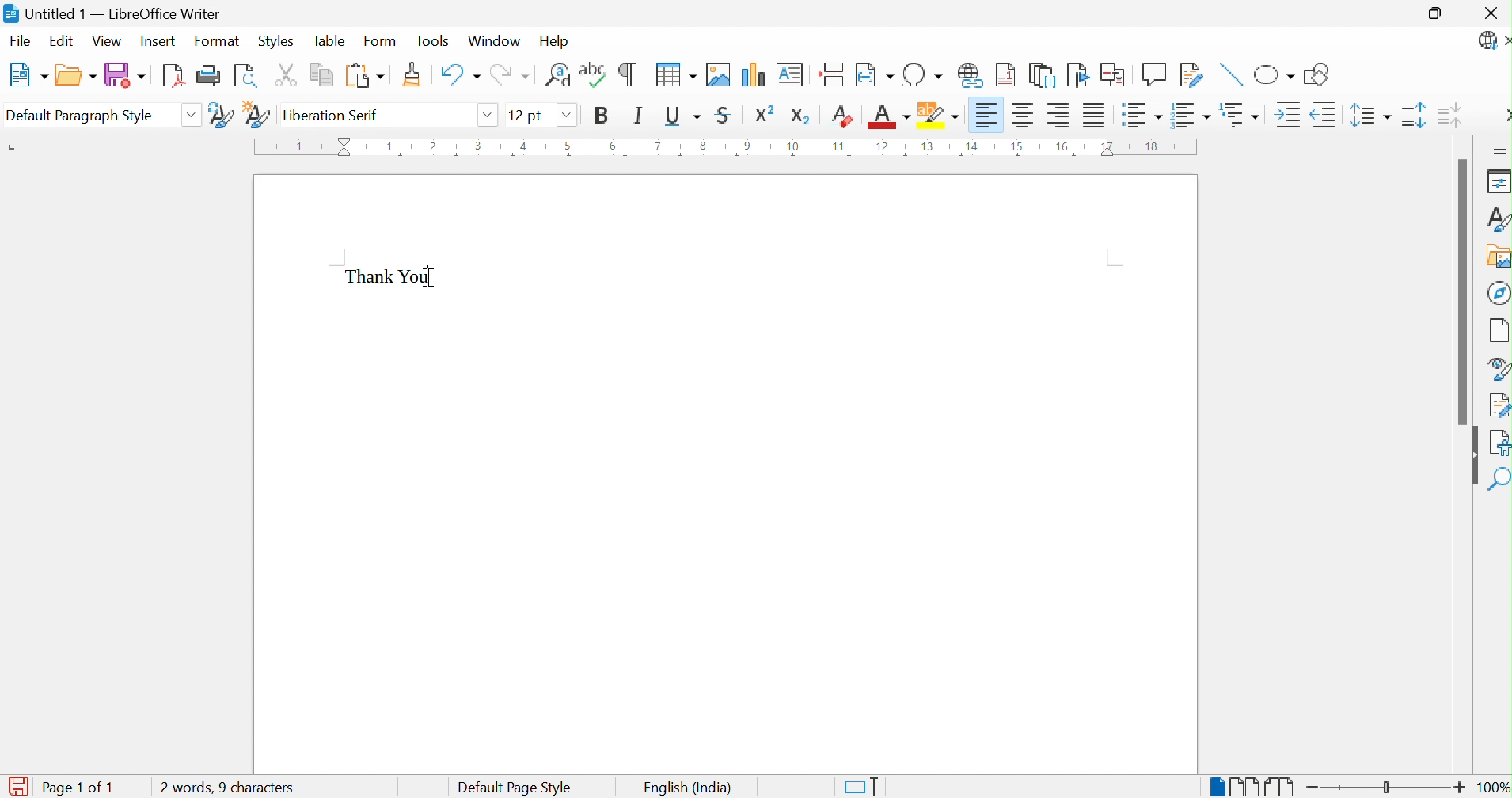 The height and width of the screenshot is (798, 1512). Describe the element at coordinates (275, 40) in the screenshot. I see `Styles` at that location.